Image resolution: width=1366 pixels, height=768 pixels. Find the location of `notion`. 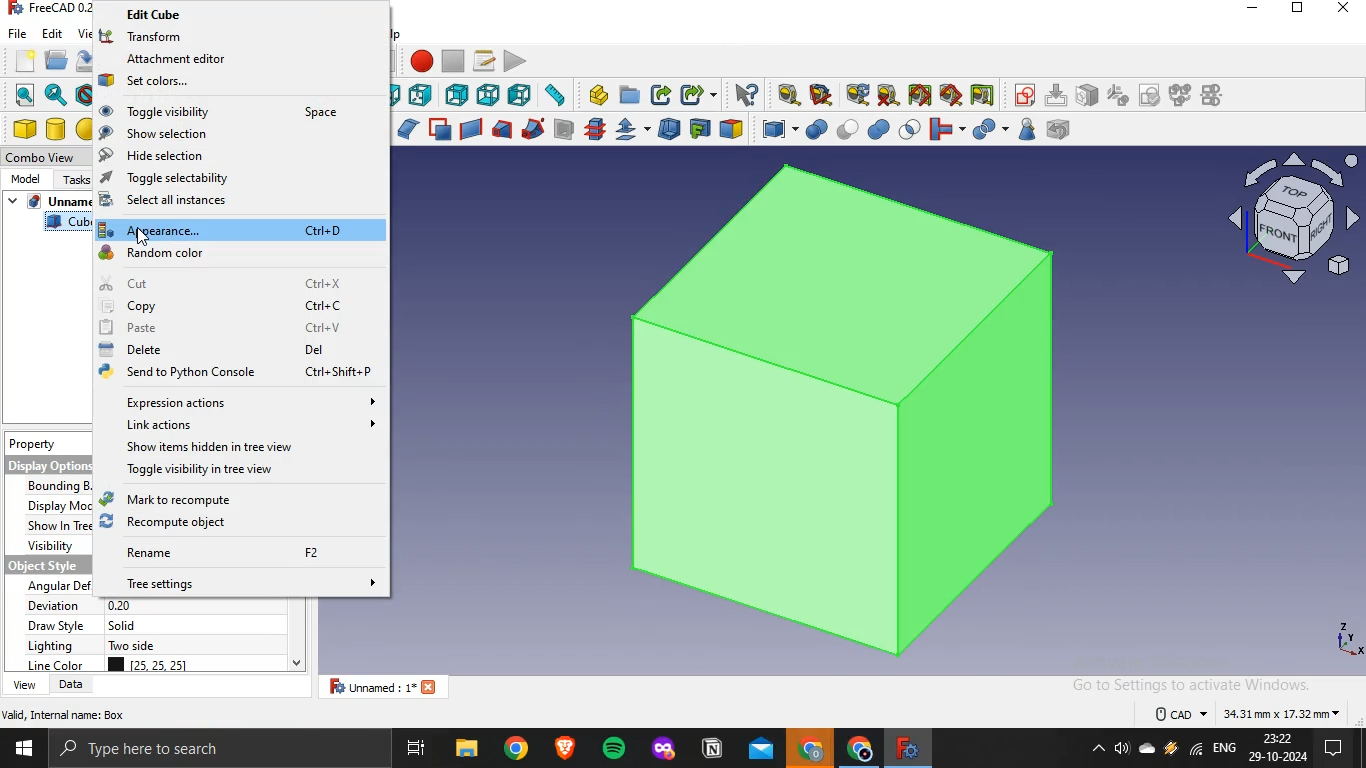

notion is located at coordinates (713, 750).